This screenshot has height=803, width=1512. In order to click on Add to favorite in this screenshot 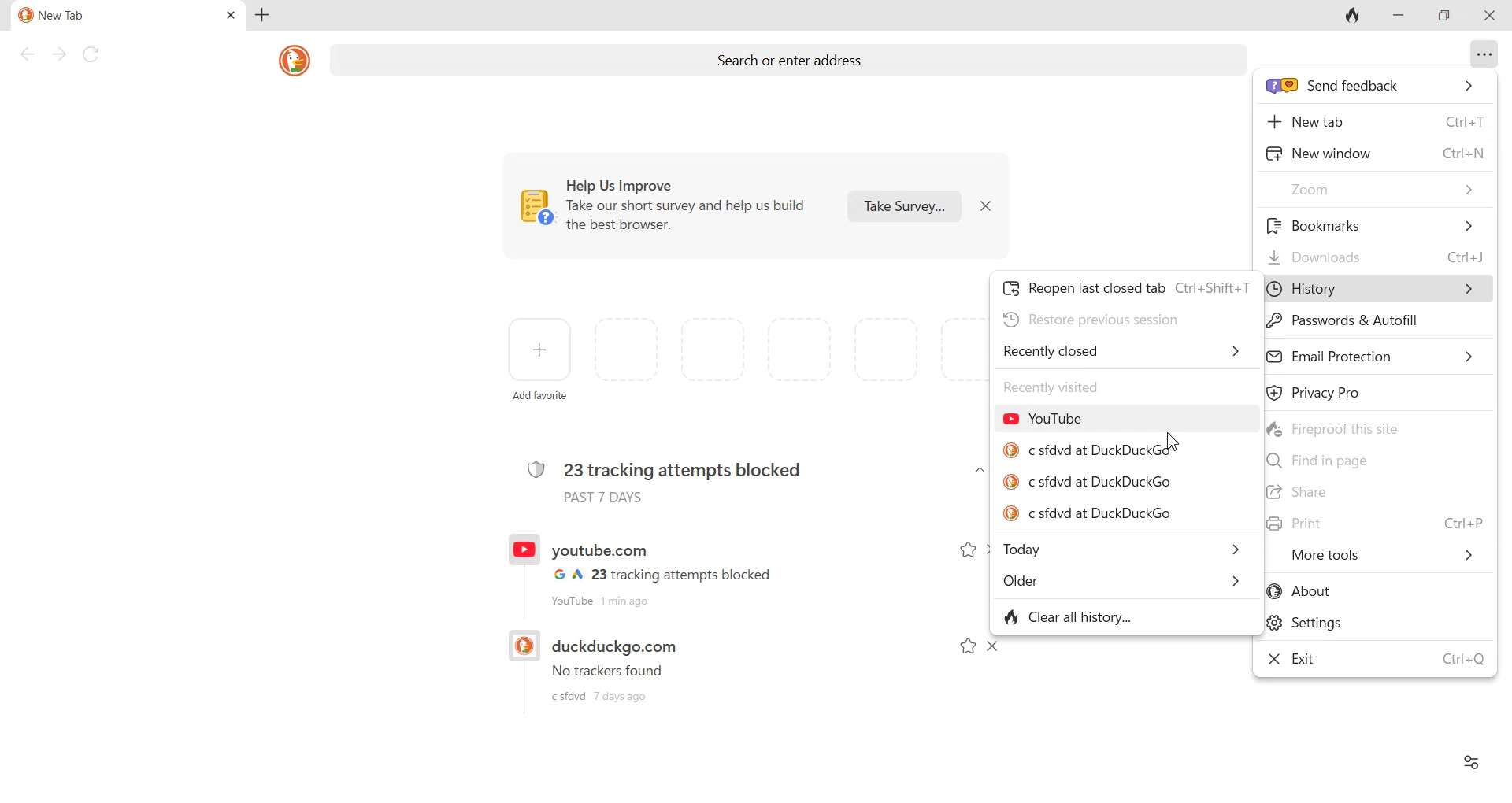, I will do `click(969, 646)`.